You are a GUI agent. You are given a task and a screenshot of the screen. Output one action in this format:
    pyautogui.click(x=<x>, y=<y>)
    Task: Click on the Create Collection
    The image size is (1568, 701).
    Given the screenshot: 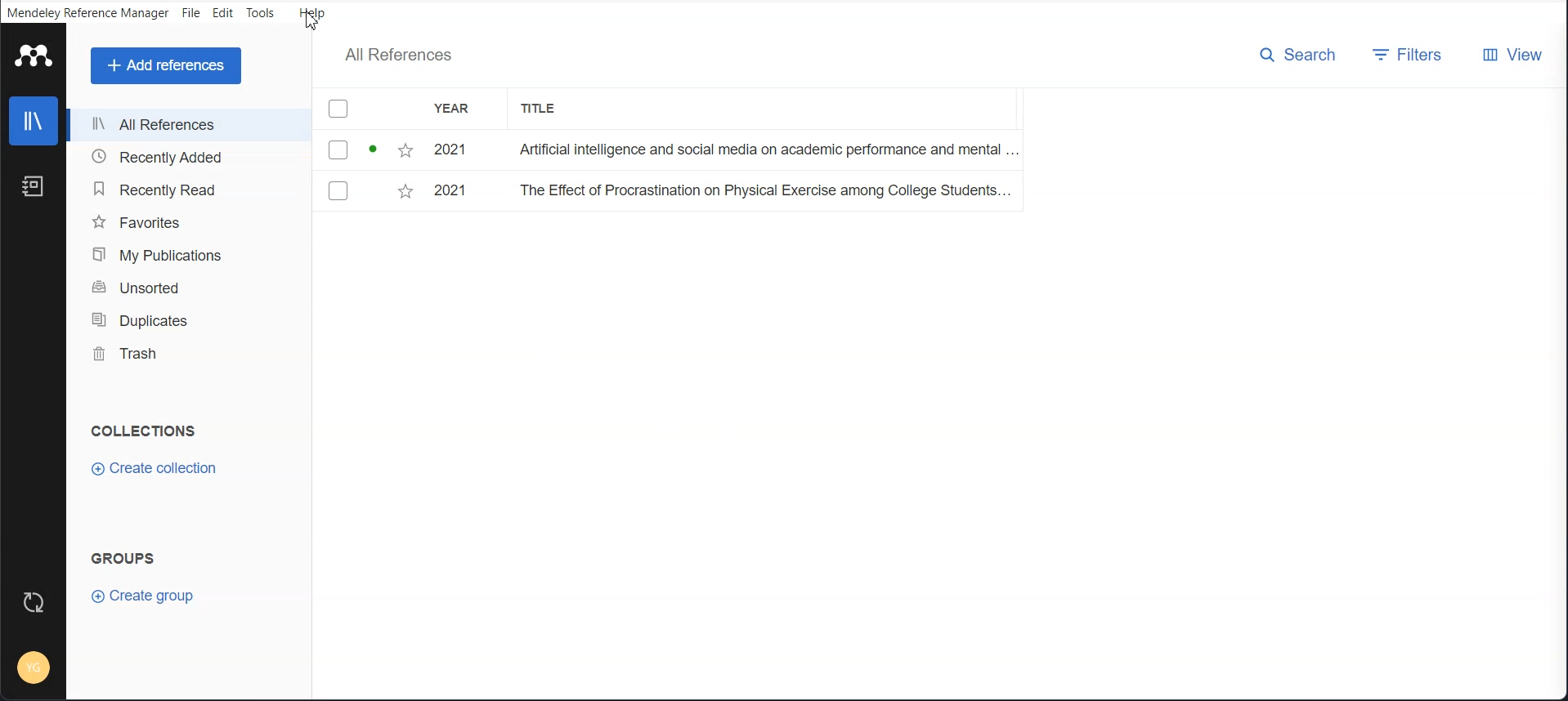 What is the action you would take?
    pyautogui.click(x=154, y=469)
    